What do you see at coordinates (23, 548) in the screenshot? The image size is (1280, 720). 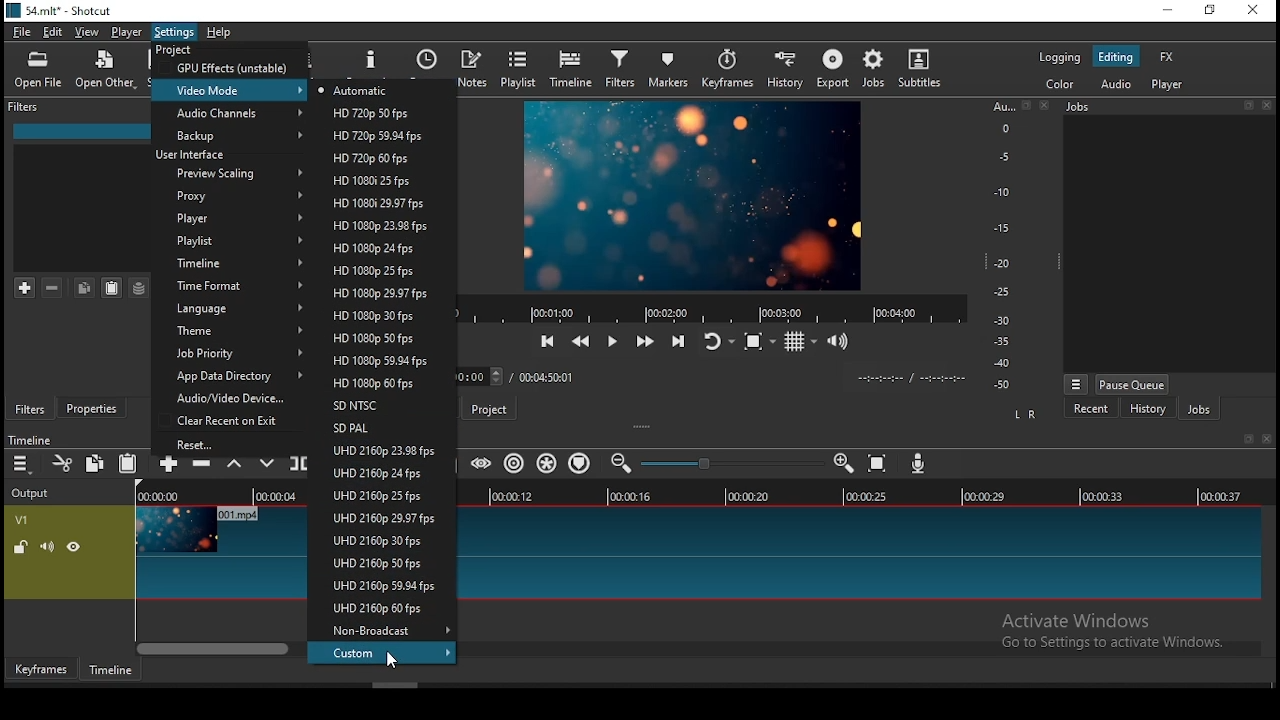 I see `unlock` at bounding box center [23, 548].